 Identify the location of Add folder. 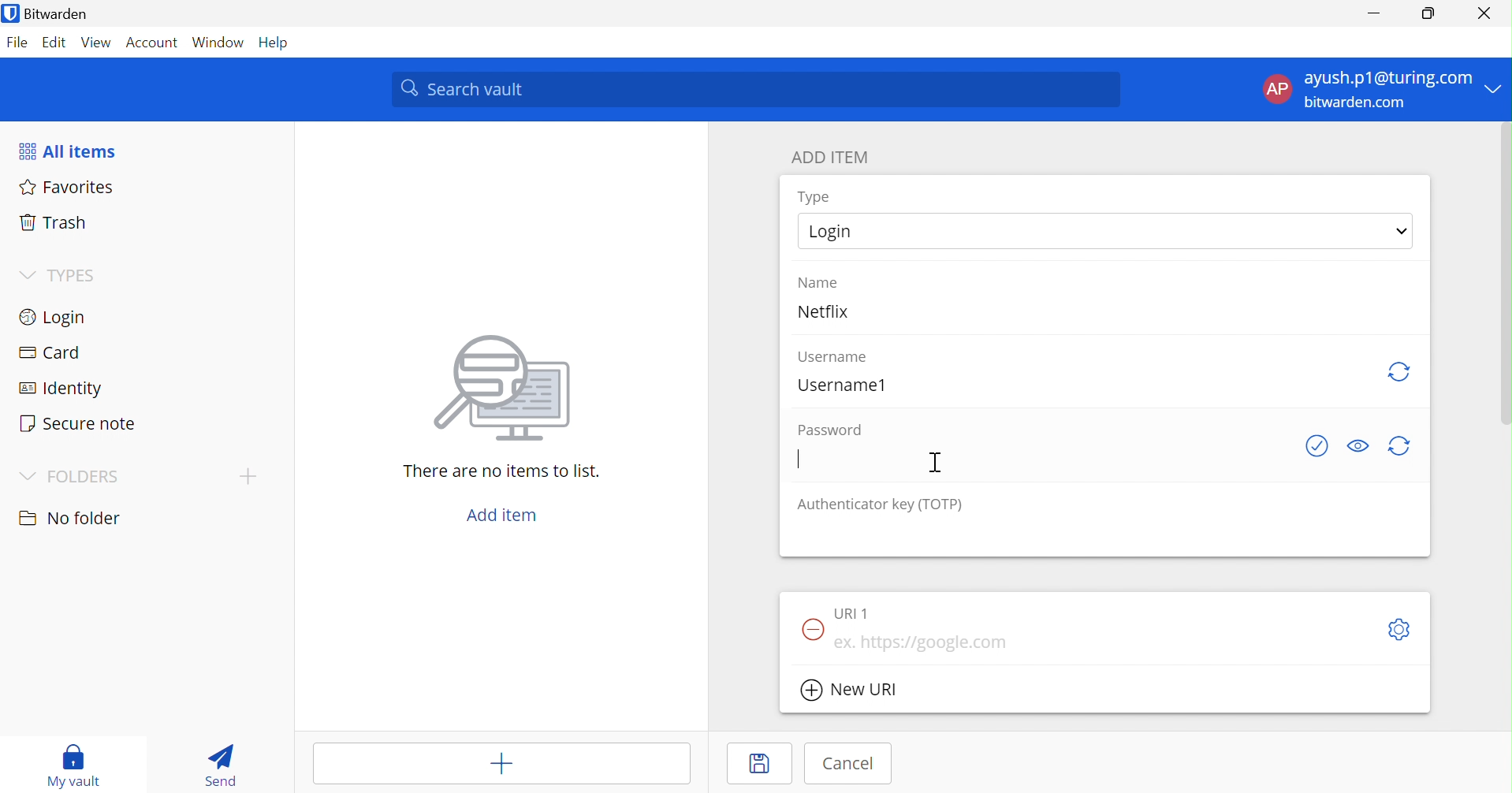
(248, 477).